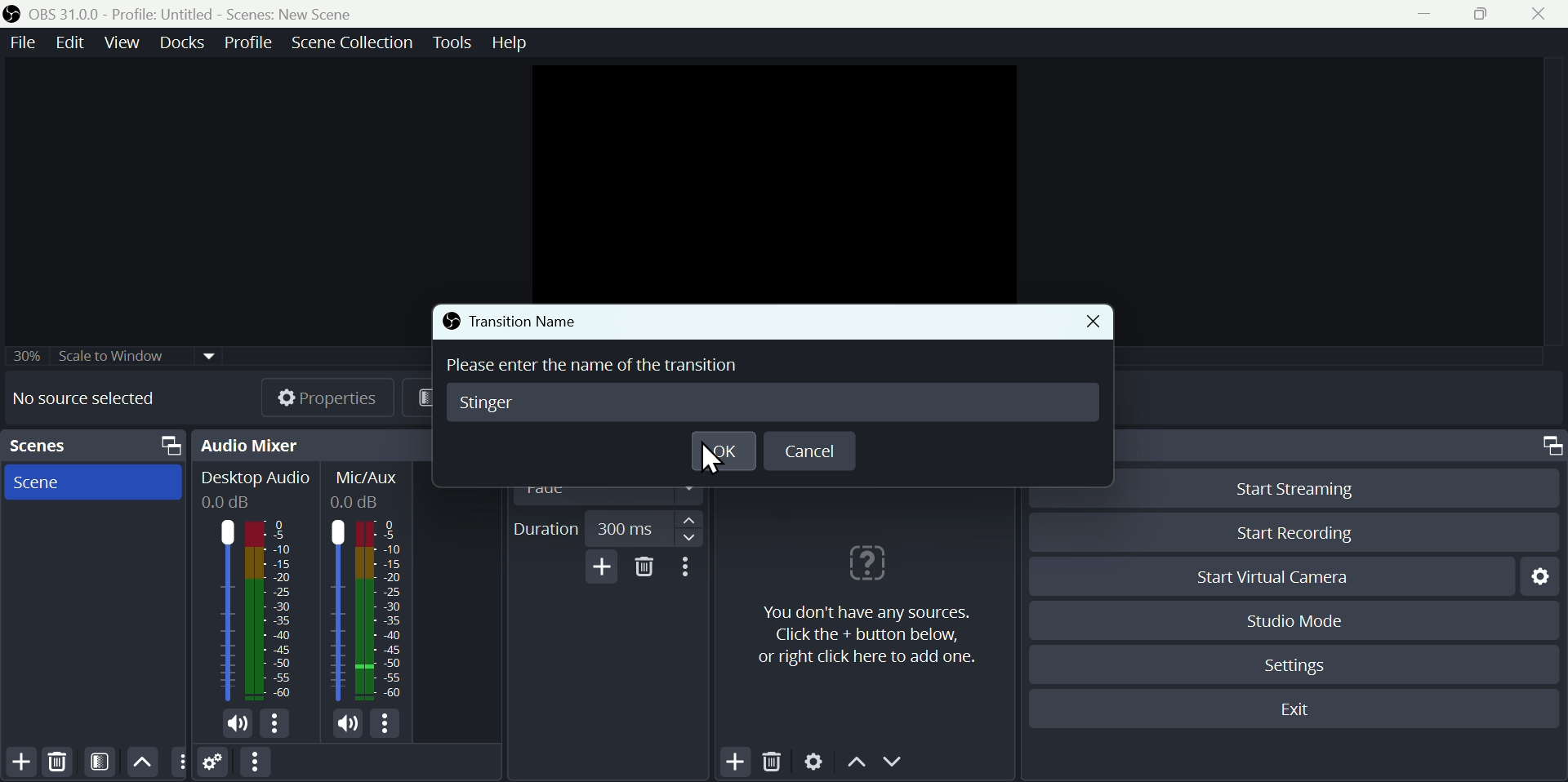  Describe the element at coordinates (253, 610) in the screenshot. I see `Audio bar` at that location.